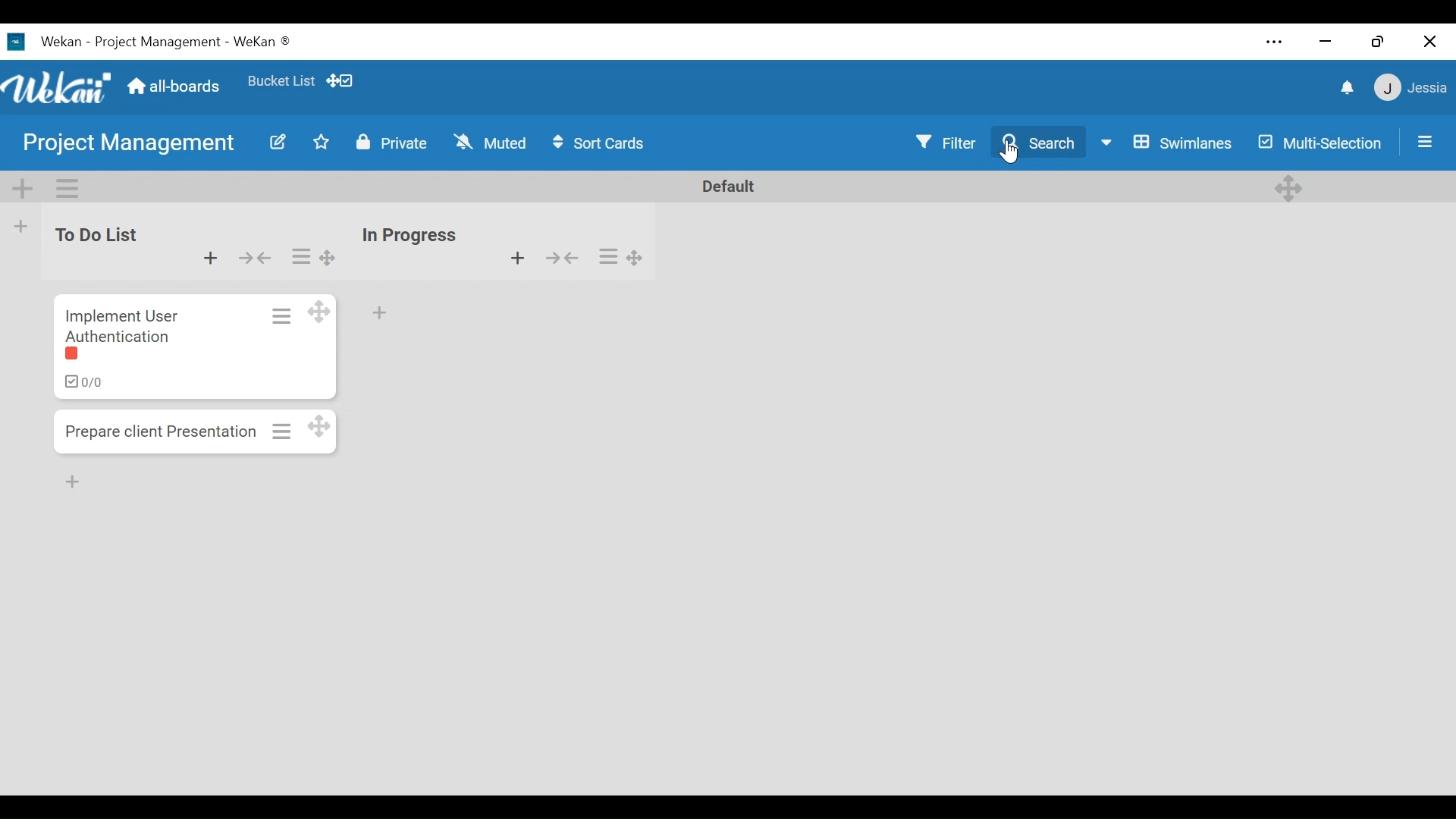 This screenshot has height=819, width=1456. Describe the element at coordinates (1328, 42) in the screenshot. I see `minimize` at that location.